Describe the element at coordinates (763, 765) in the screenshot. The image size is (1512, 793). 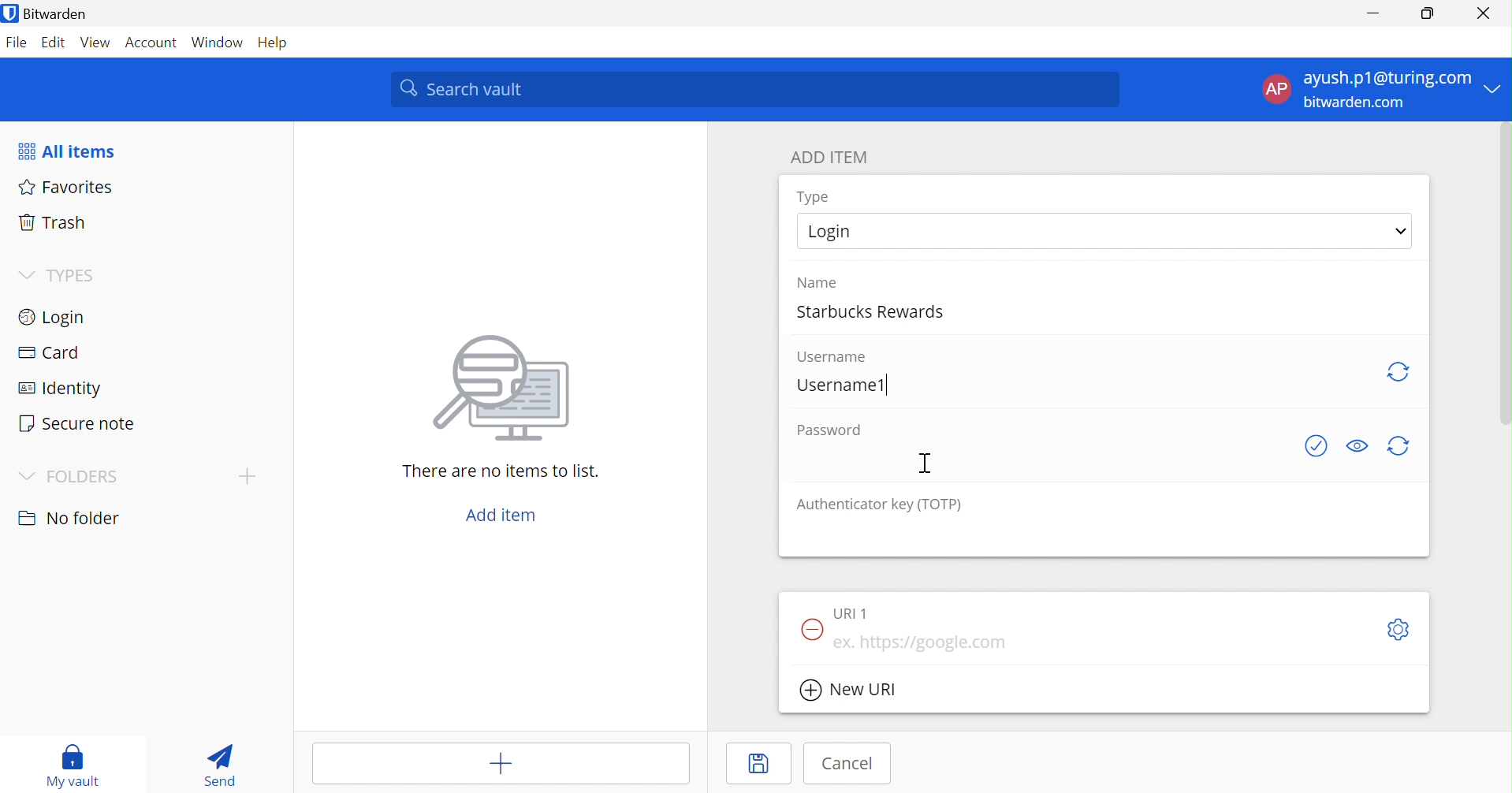
I see `Save` at that location.